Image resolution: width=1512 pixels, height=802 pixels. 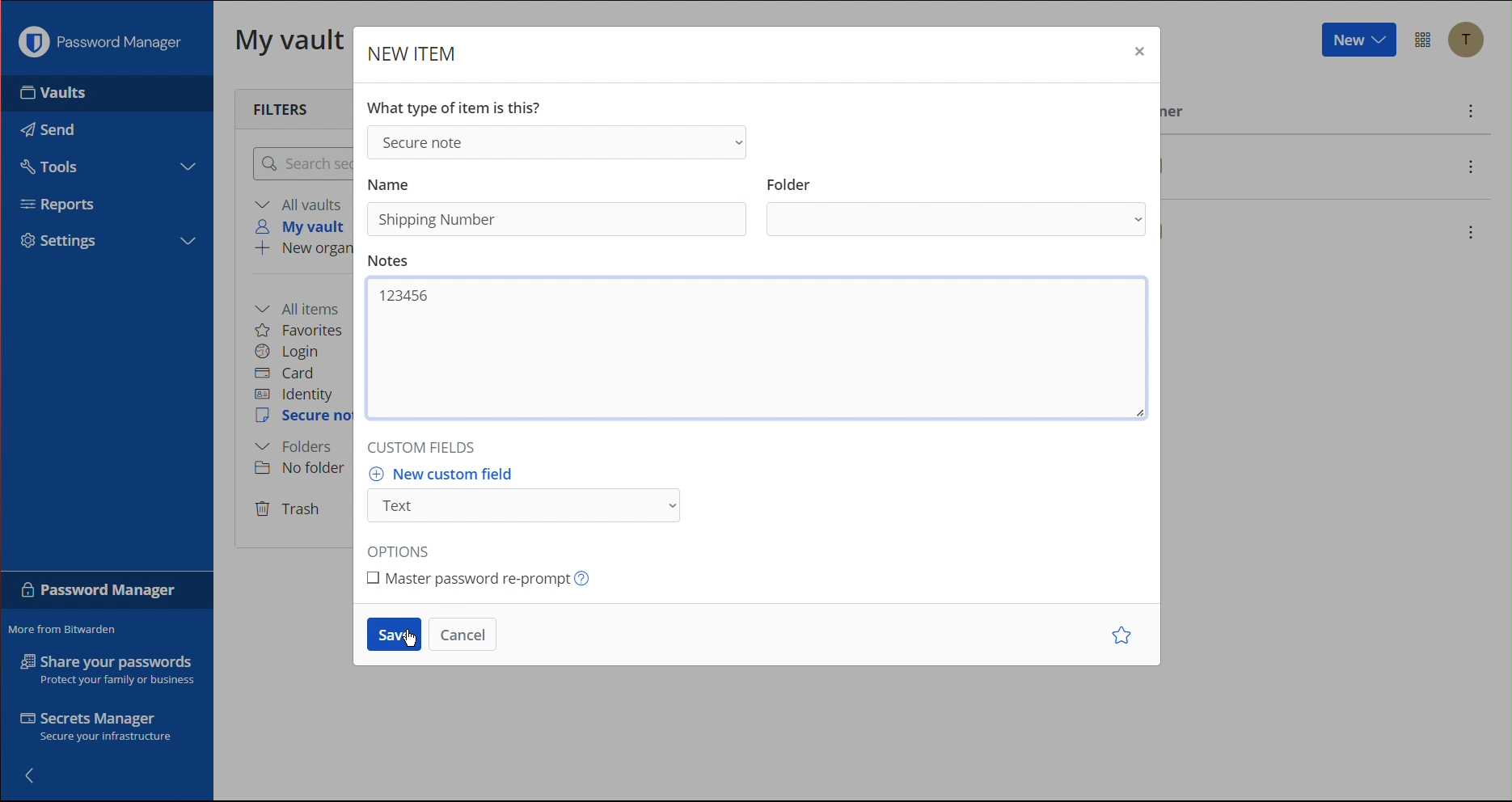 I want to click on Name, so click(x=395, y=184).